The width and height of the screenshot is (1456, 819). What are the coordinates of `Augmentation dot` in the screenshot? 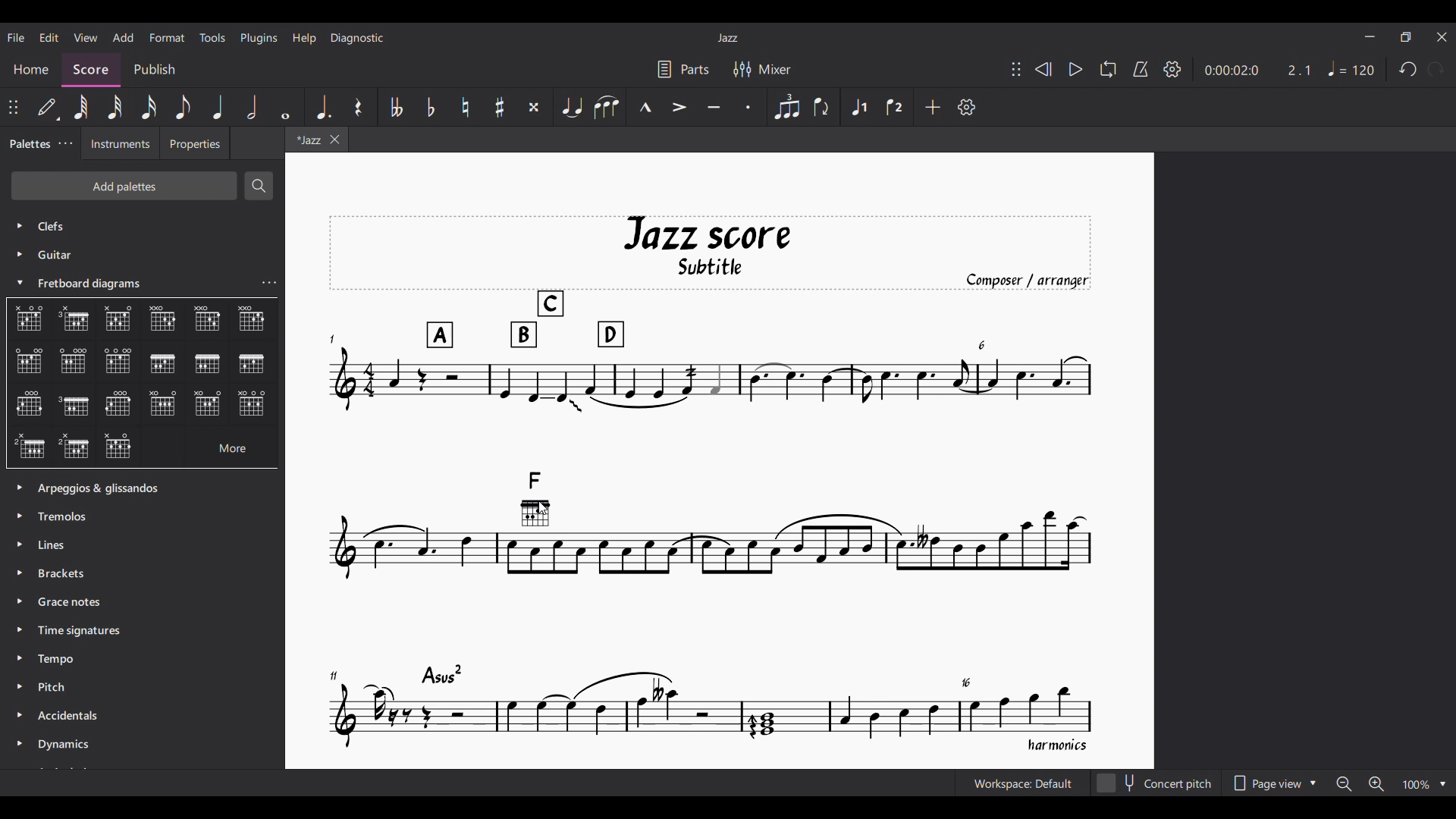 It's located at (322, 106).